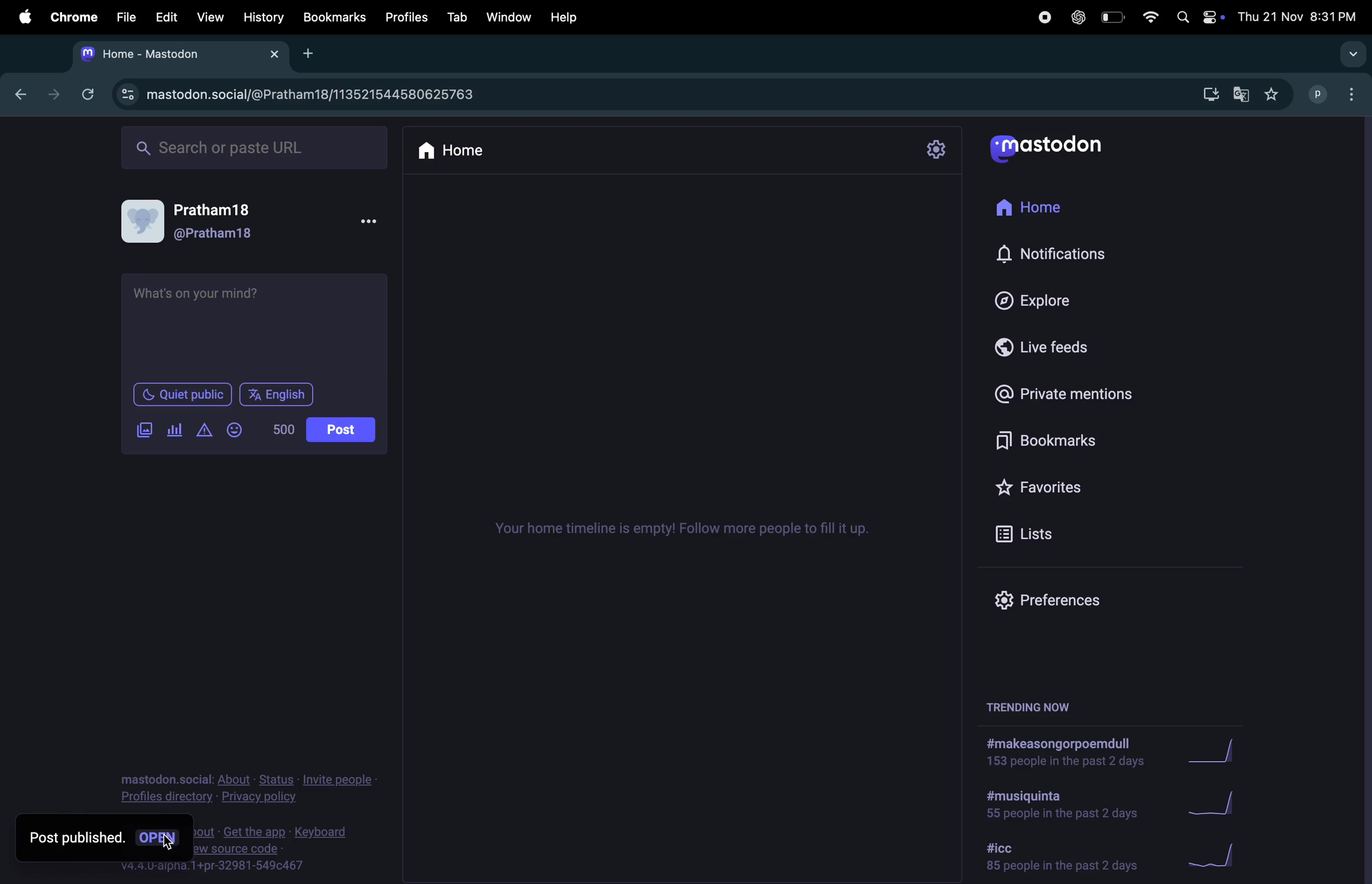 This screenshot has height=884, width=1372. What do you see at coordinates (561, 18) in the screenshot?
I see `help` at bounding box center [561, 18].